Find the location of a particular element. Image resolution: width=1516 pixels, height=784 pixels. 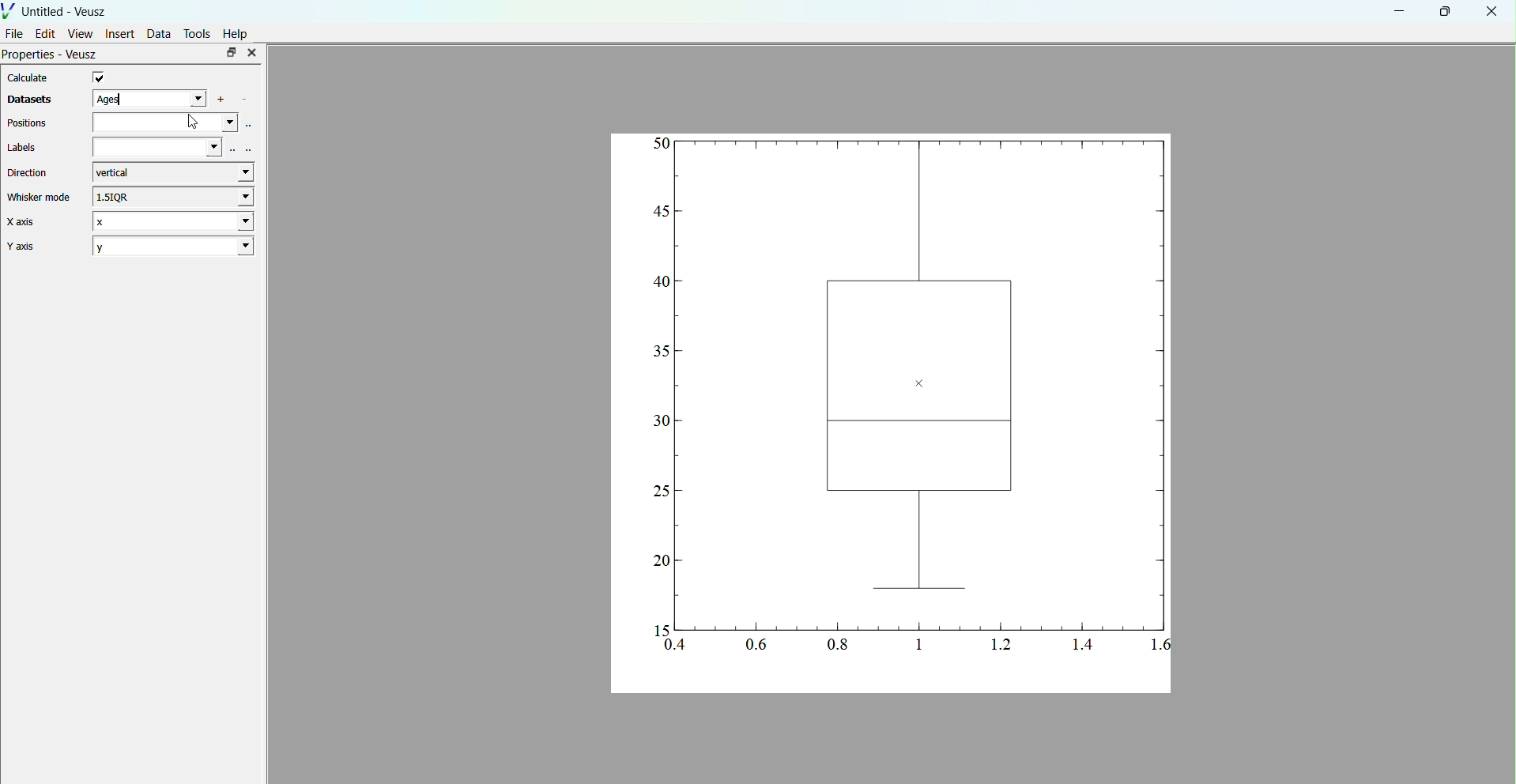

Calculate is located at coordinates (32, 80).